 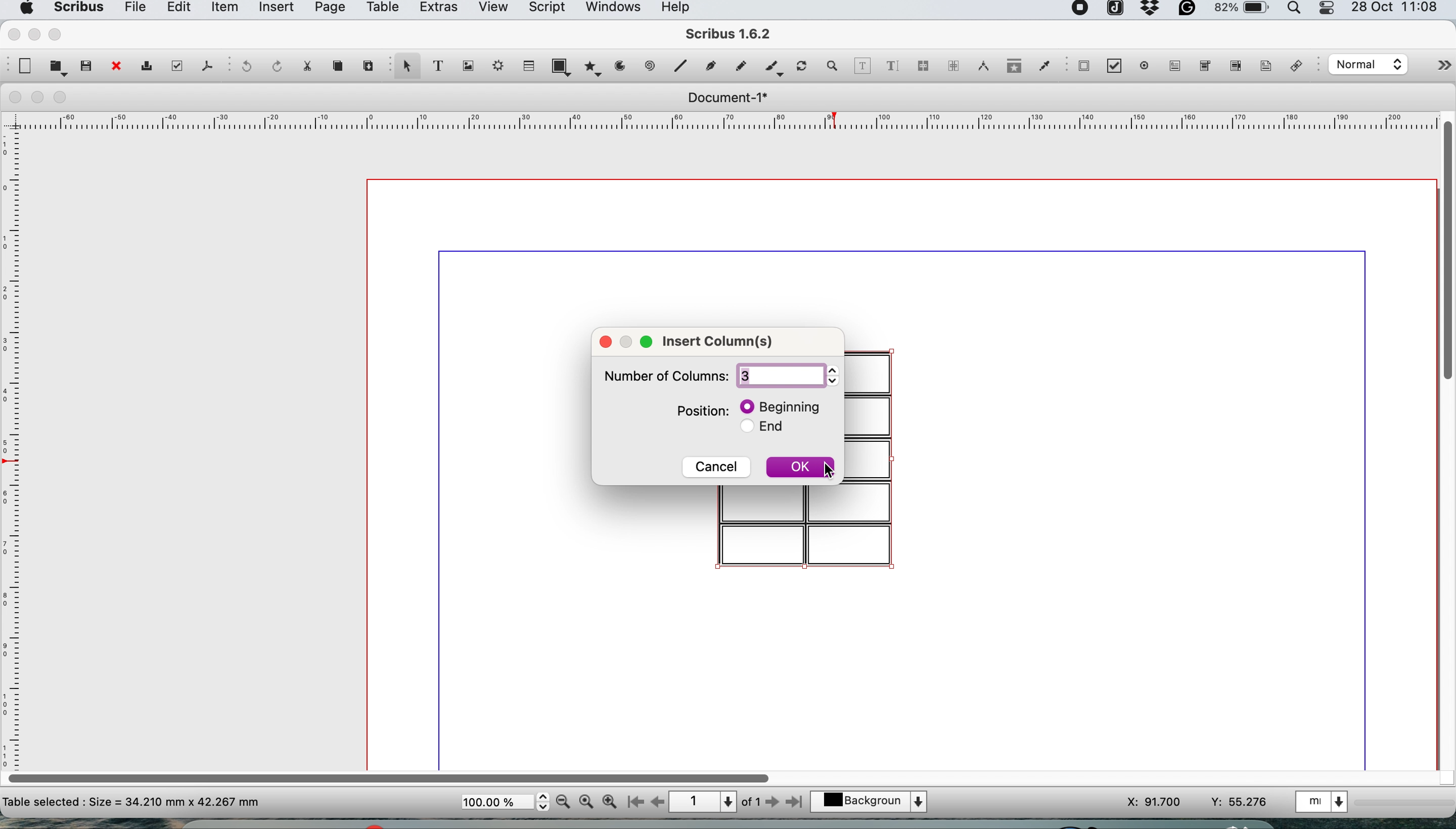 What do you see at coordinates (1297, 11) in the screenshot?
I see `spotlight search` at bounding box center [1297, 11].